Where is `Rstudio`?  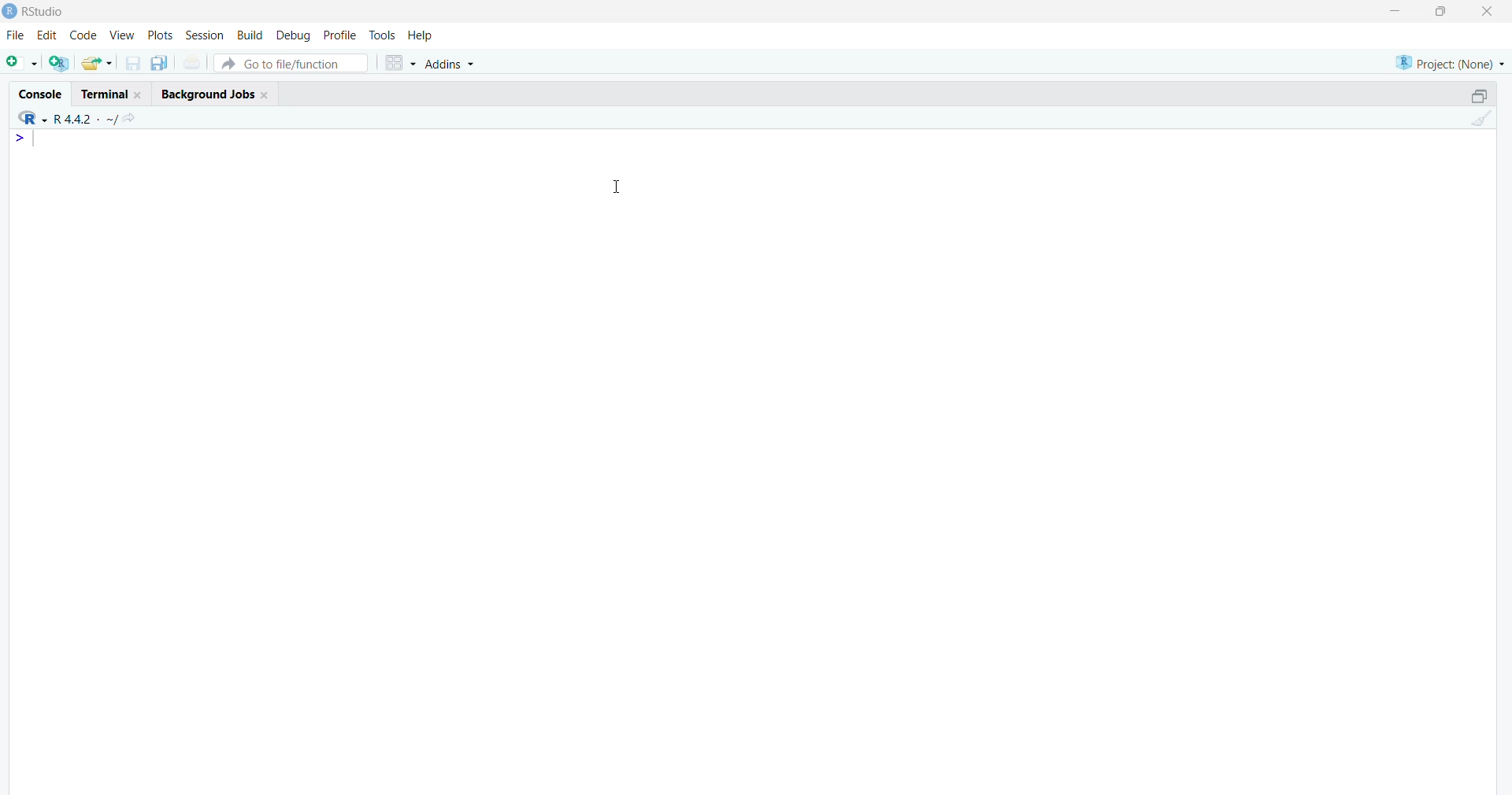
Rstudio is located at coordinates (35, 10).